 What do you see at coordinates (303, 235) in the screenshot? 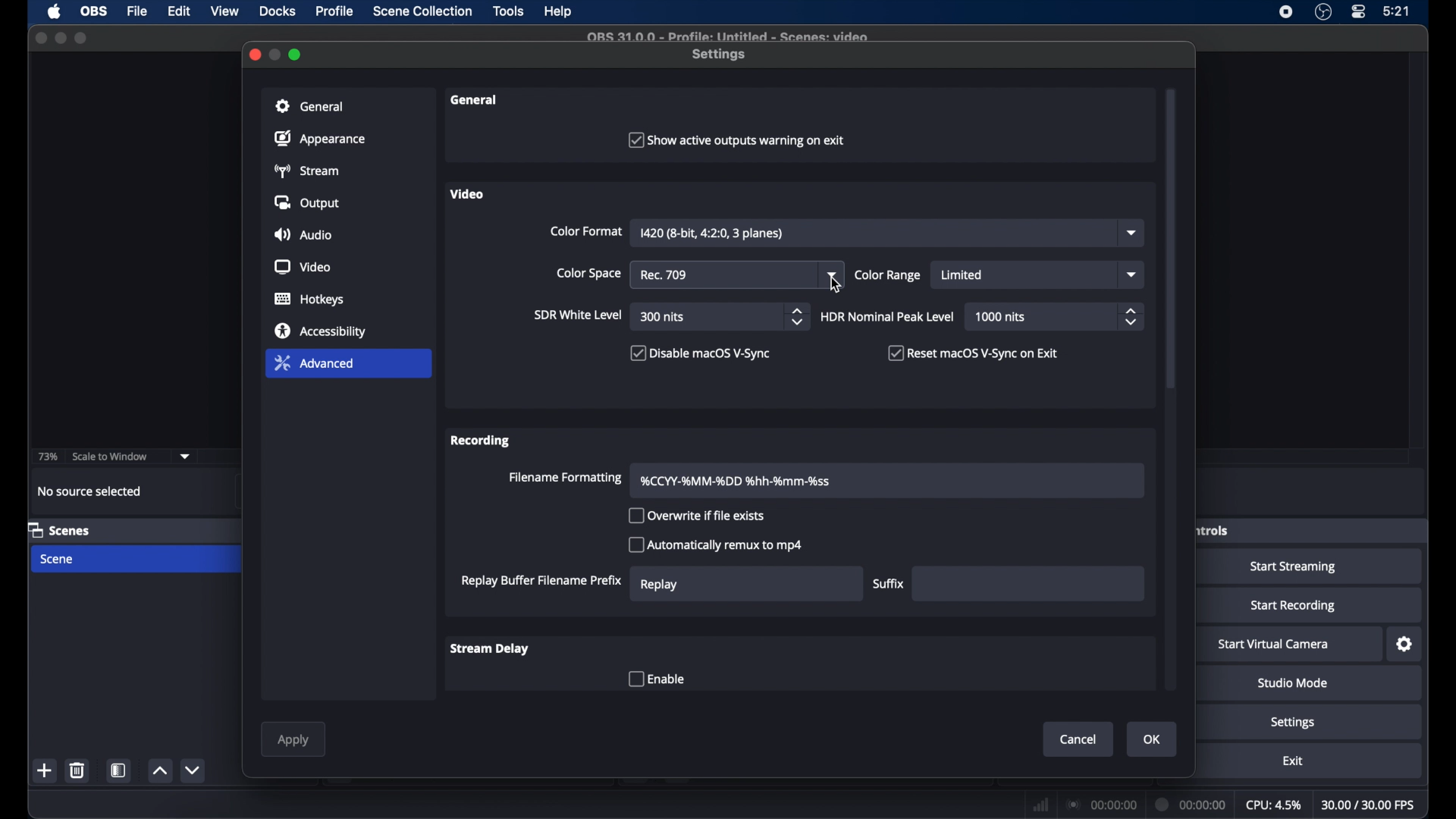
I see `audio` at bounding box center [303, 235].